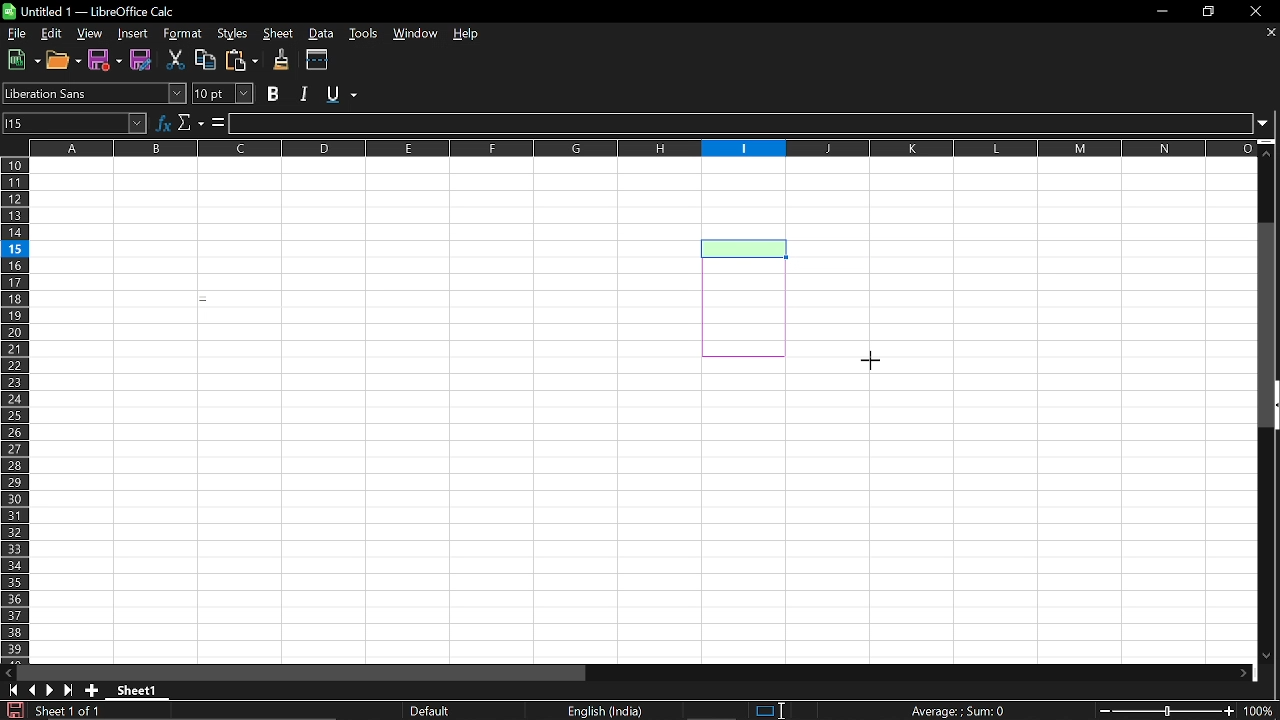  What do you see at coordinates (283, 60) in the screenshot?
I see `Clone` at bounding box center [283, 60].